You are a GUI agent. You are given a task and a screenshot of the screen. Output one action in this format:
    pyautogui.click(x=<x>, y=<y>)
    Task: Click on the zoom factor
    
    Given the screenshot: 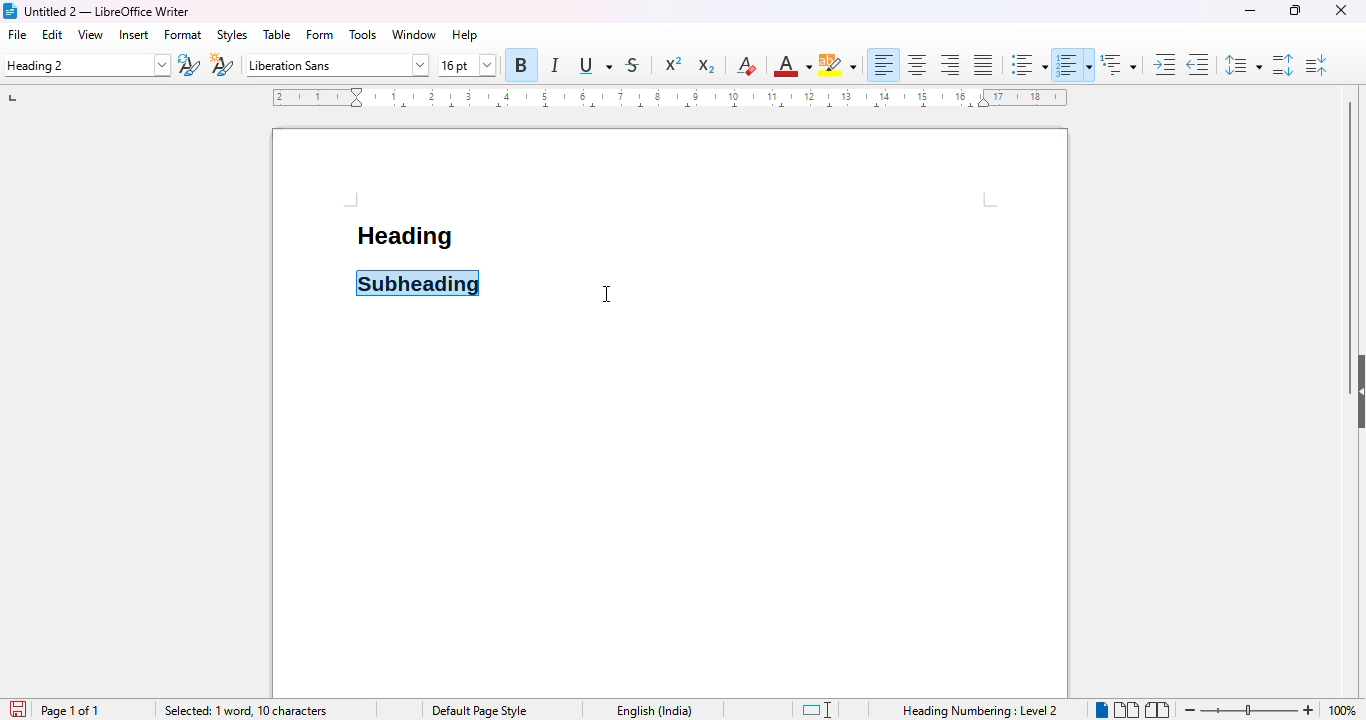 What is the action you would take?
    pyautogui.click(x=1342, y=711)
    